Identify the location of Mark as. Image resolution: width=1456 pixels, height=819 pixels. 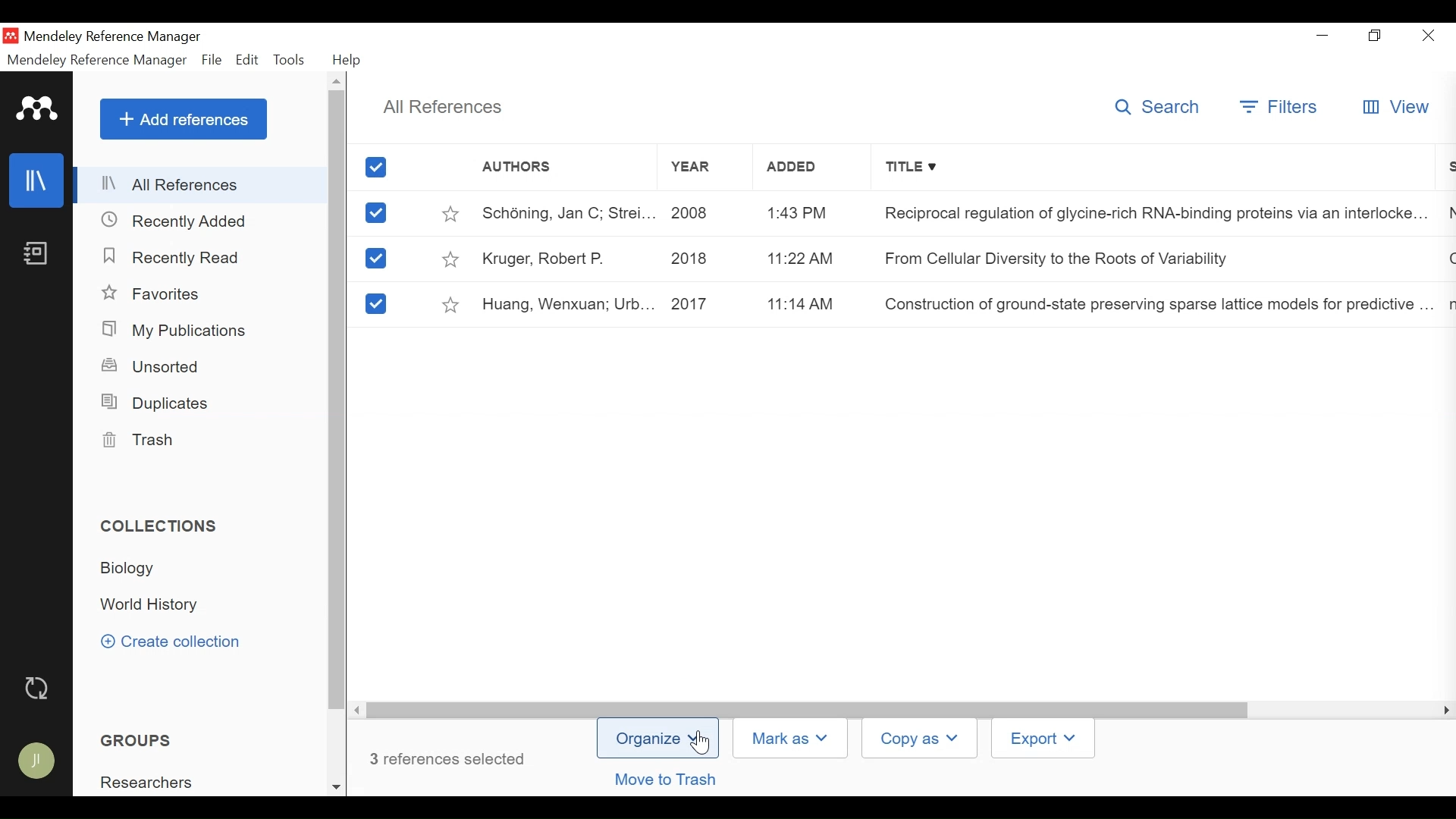
(794, 737).